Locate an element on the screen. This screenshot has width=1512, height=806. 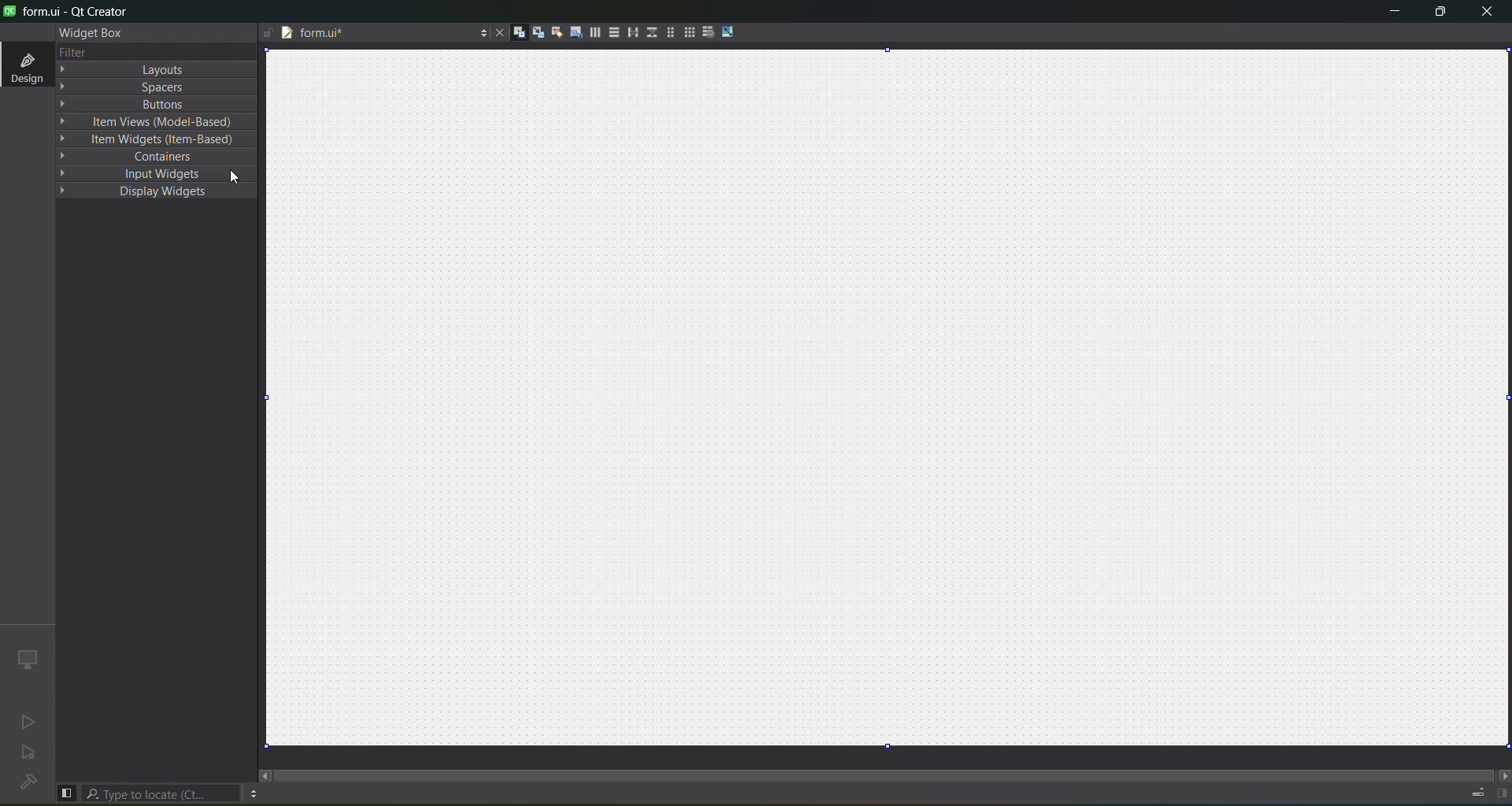
signals is located at coordinates (532, 31).